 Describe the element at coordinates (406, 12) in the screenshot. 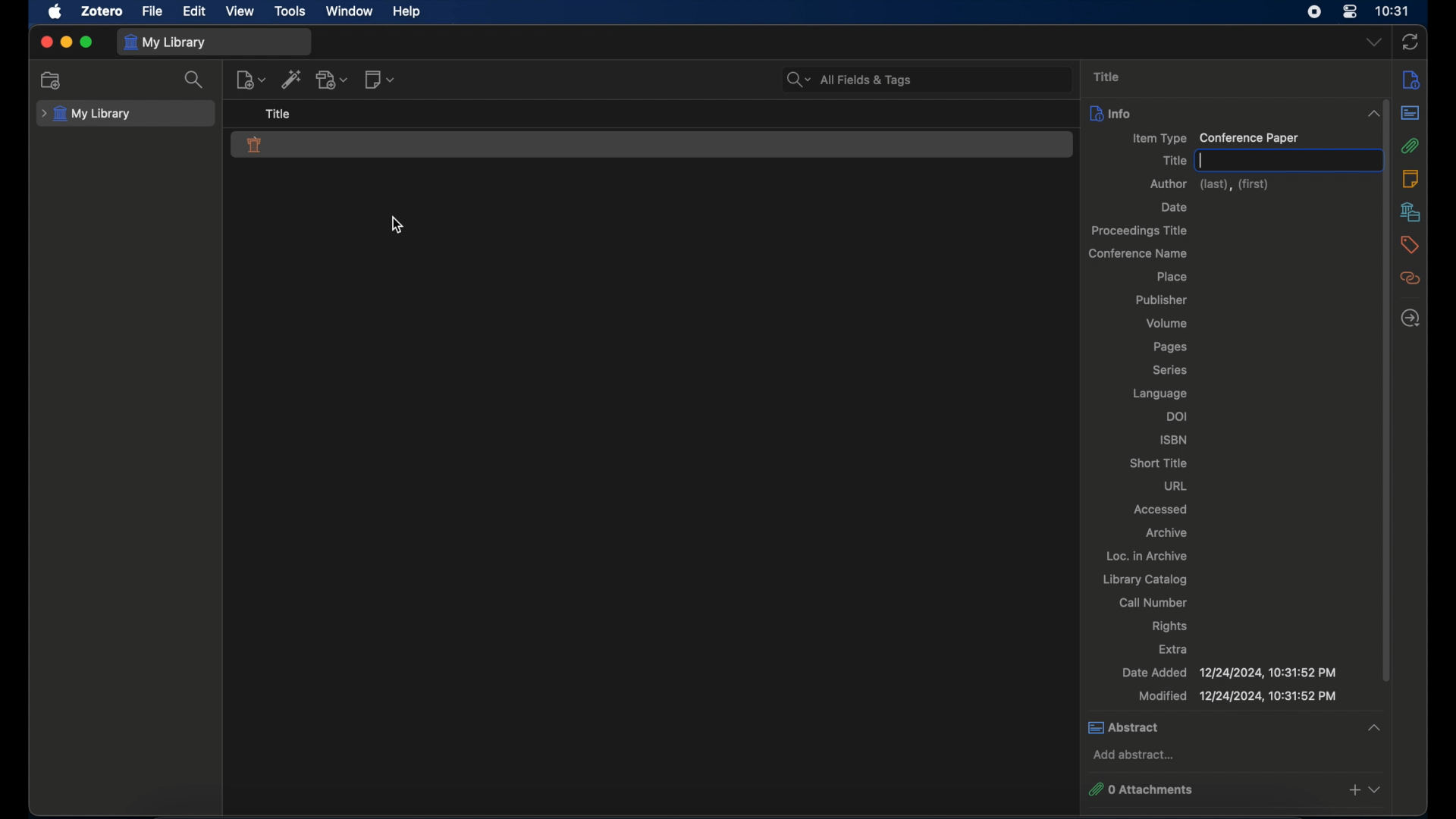

I see `help` at that location.